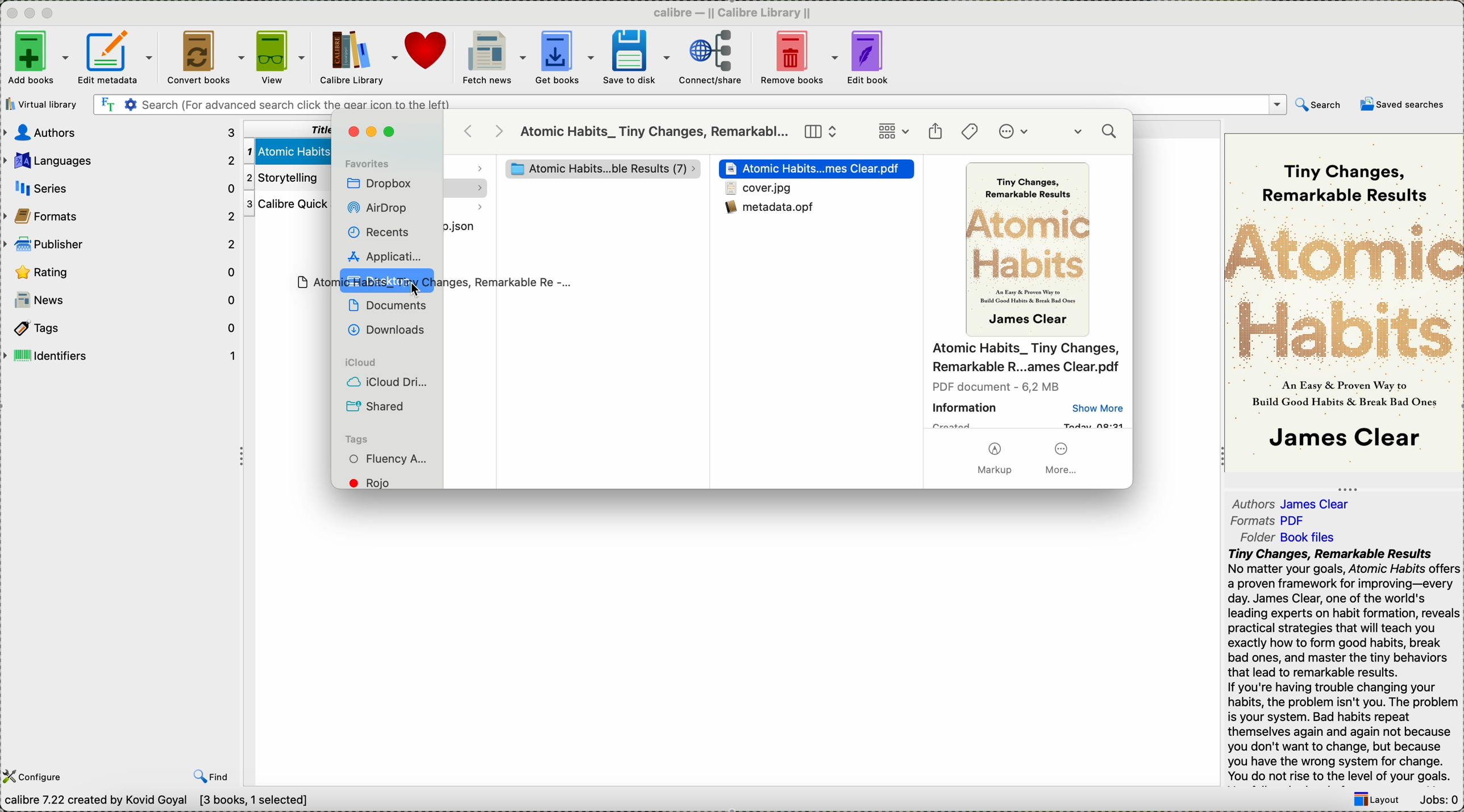 This screenshot has width=1464, height=812. I want to click on share, so click(935, 132).